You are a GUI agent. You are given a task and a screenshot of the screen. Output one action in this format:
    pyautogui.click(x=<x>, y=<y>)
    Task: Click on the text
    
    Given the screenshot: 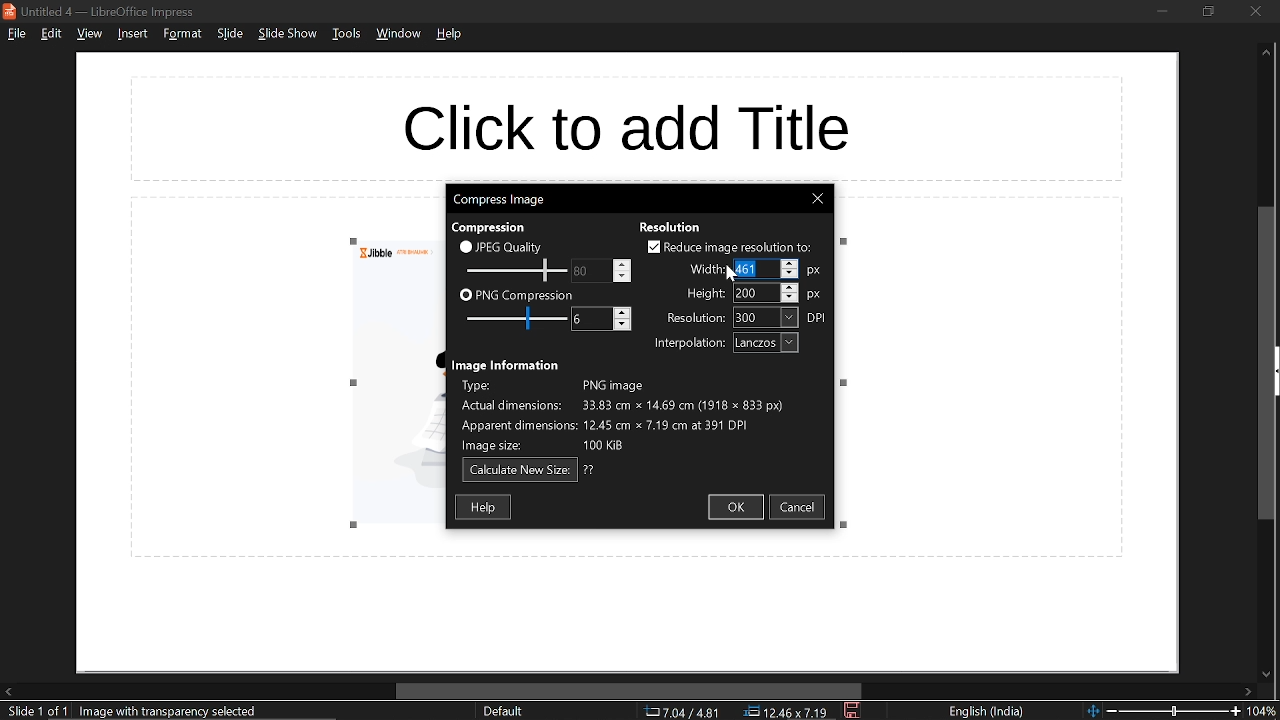 What is the action you would take?
    pyautogui.click(x=707, y=269)
    